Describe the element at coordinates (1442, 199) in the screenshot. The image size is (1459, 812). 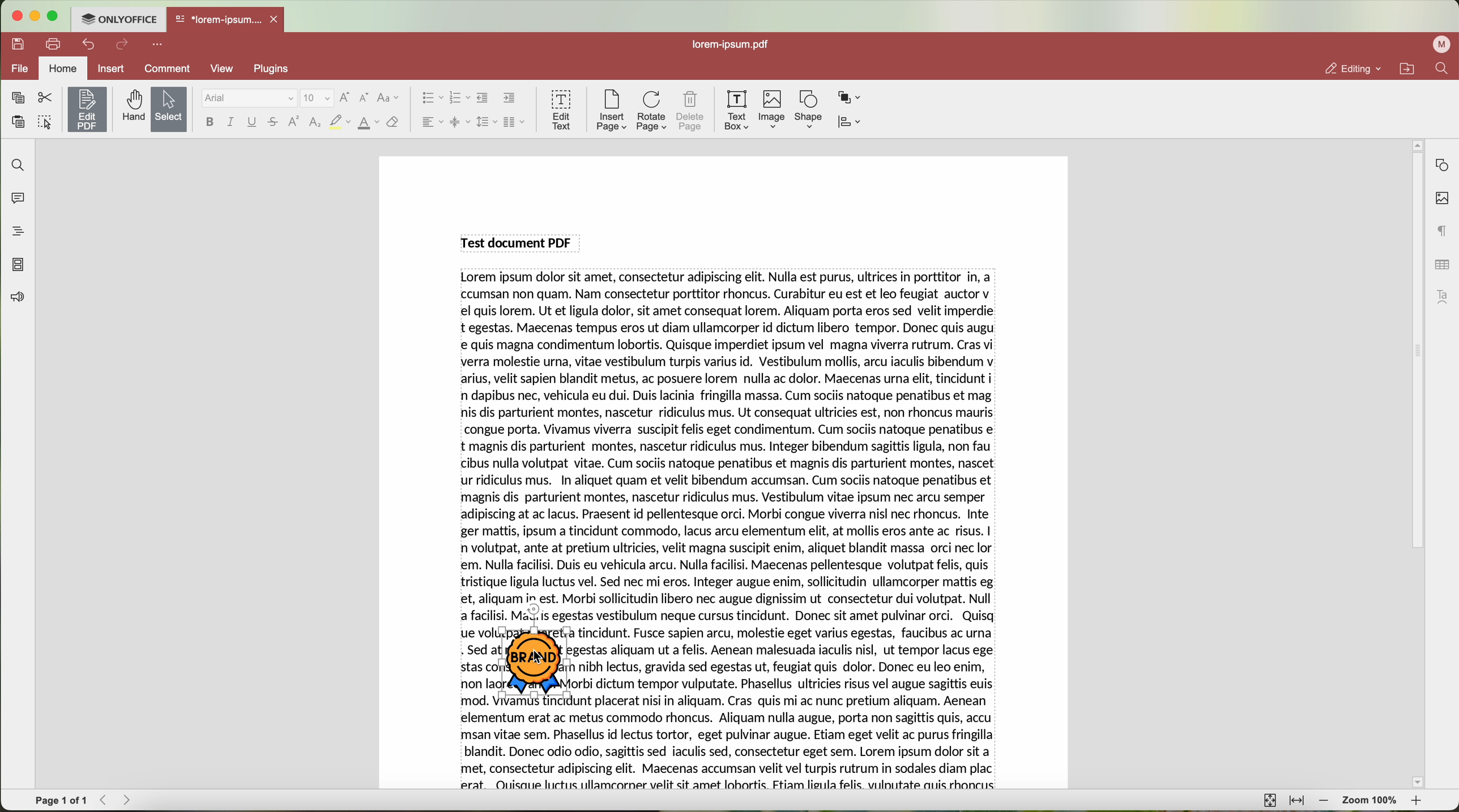
I see `image settings` at that location.